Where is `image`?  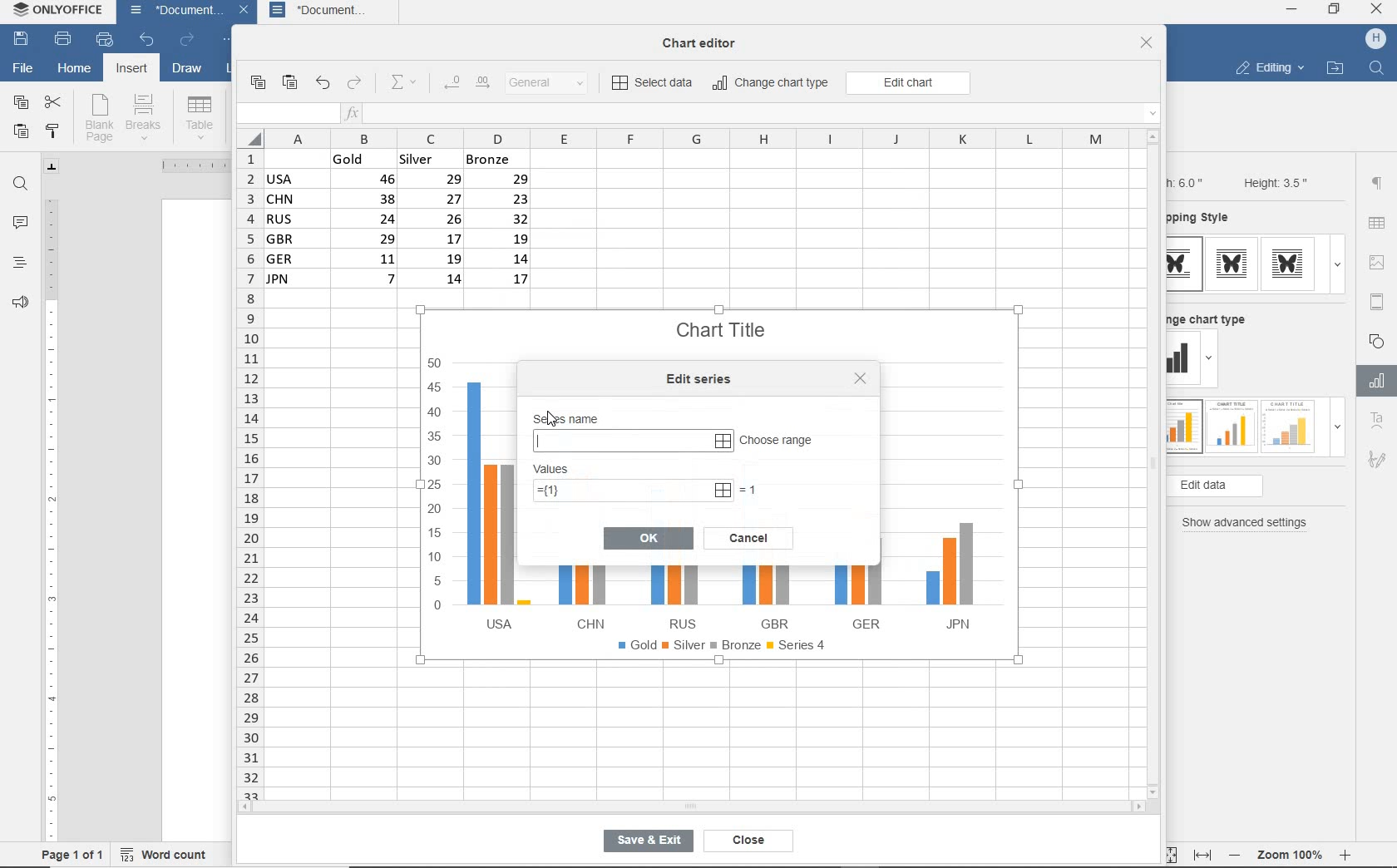 image is located at coordinates (1380, 262).